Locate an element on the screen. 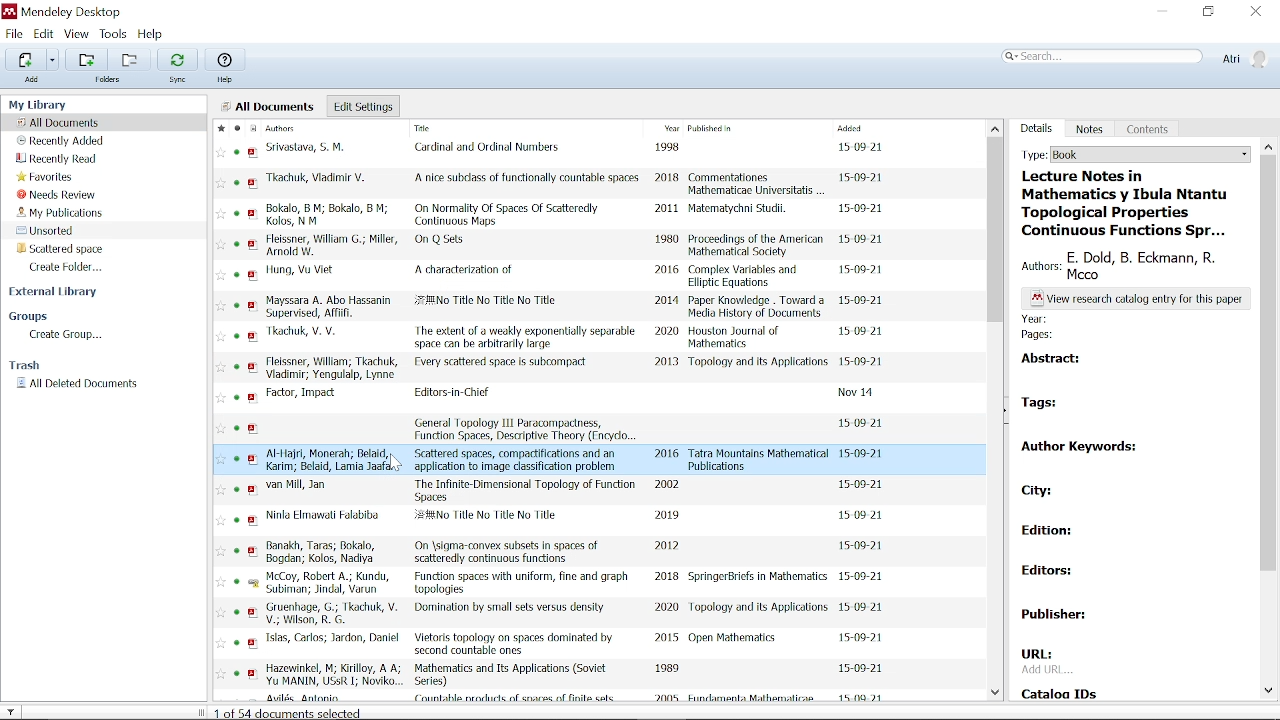 The width and height of the screenshot is (1280, 720). date is located at coordinates (863, 608).